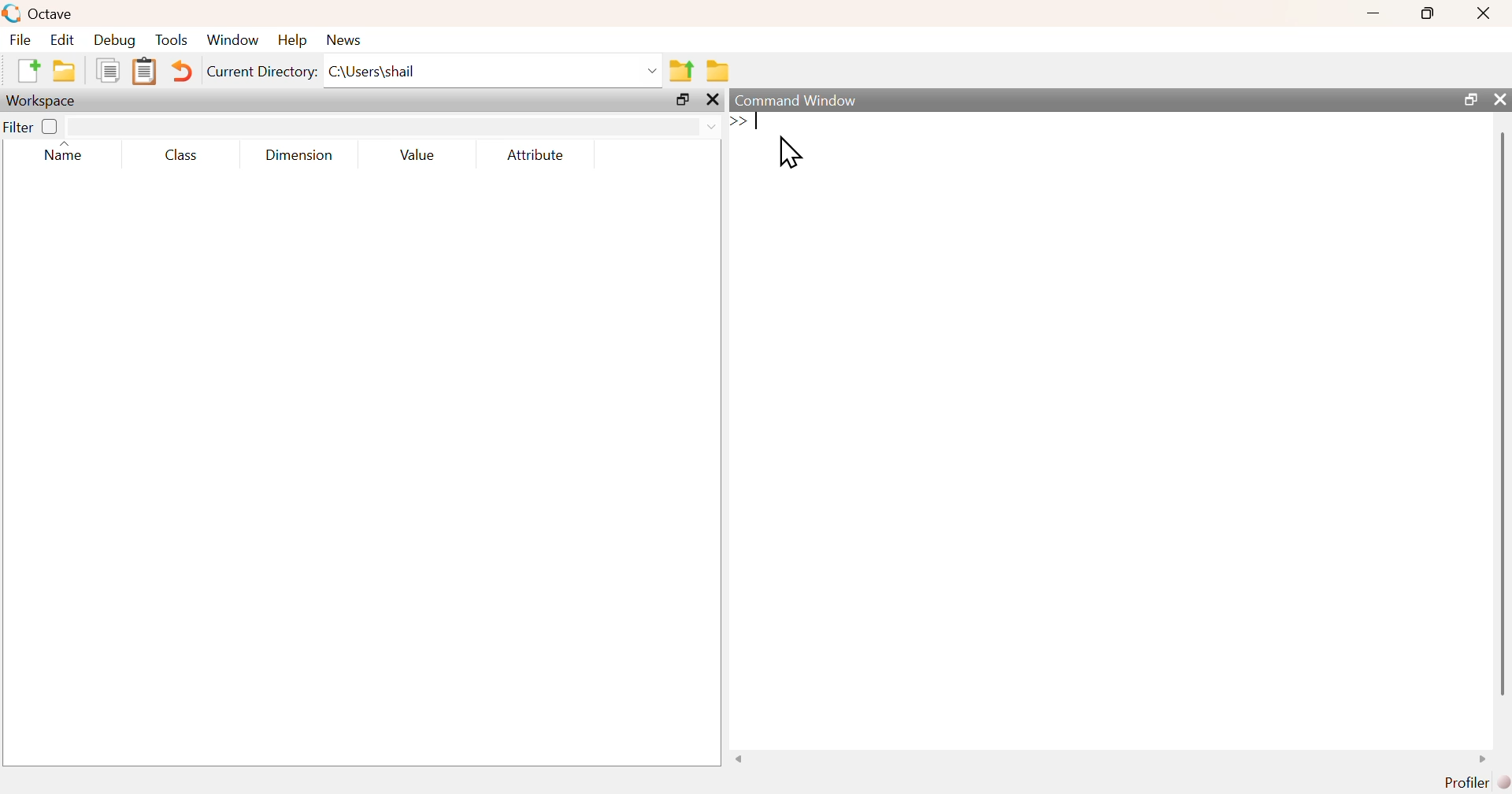 Image resolution: width=1512 pixels, height=794 pixels. I want to click on Window, so click(232, 39).